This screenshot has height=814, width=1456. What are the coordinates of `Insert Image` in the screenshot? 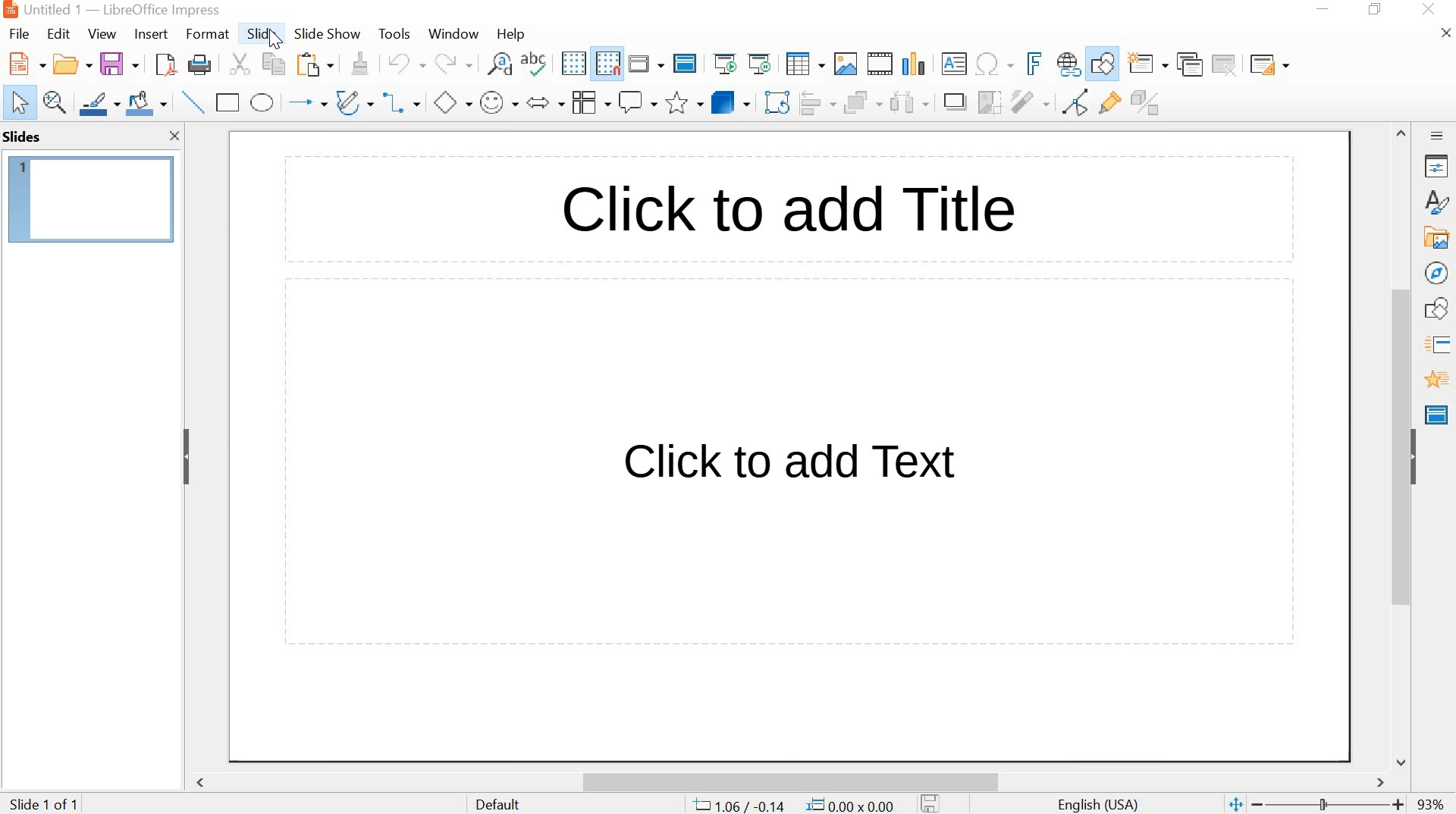 It's located at (846, 64).